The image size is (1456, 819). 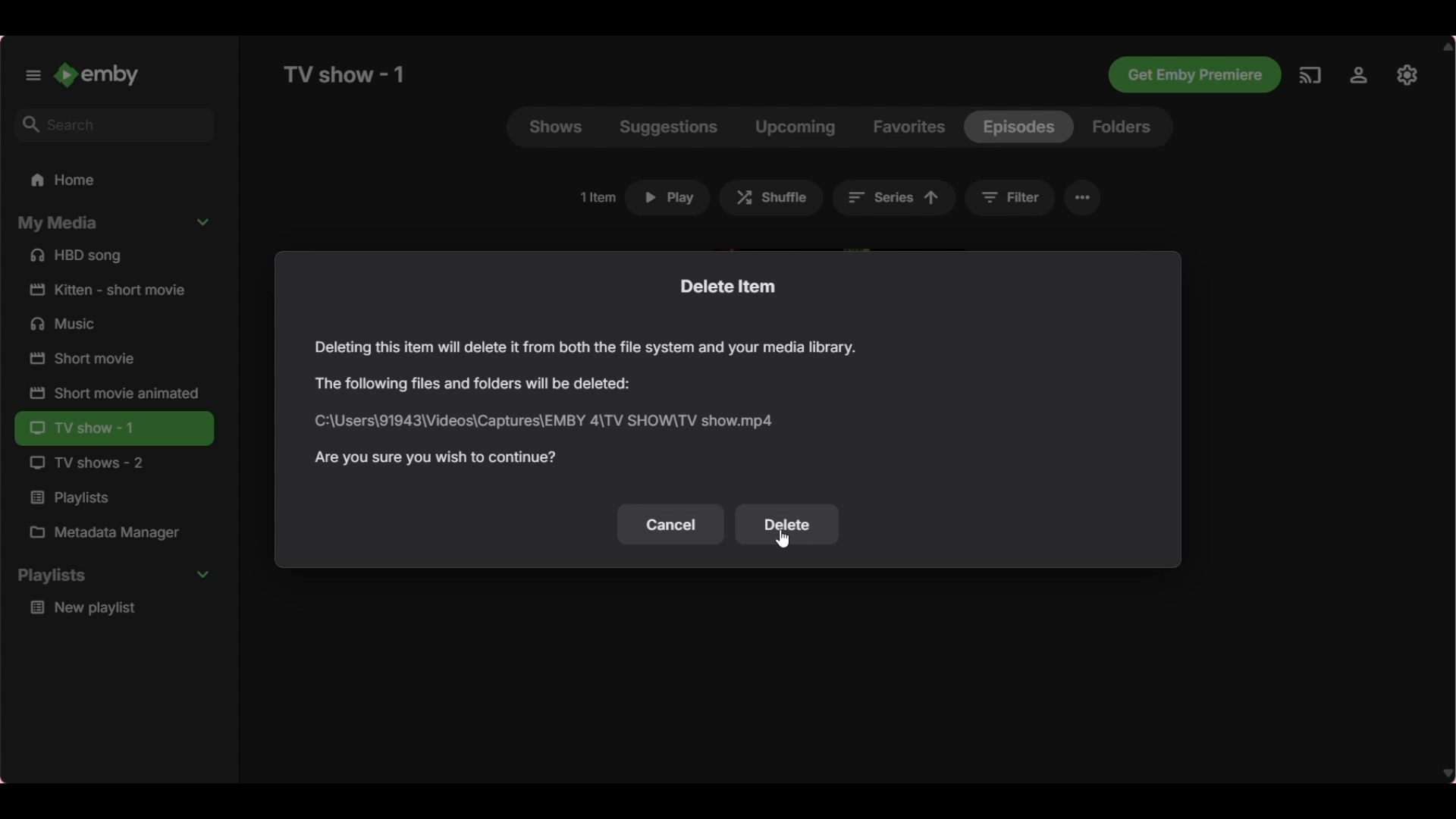 I want to click on Folders, so click(x=1123, y=127).